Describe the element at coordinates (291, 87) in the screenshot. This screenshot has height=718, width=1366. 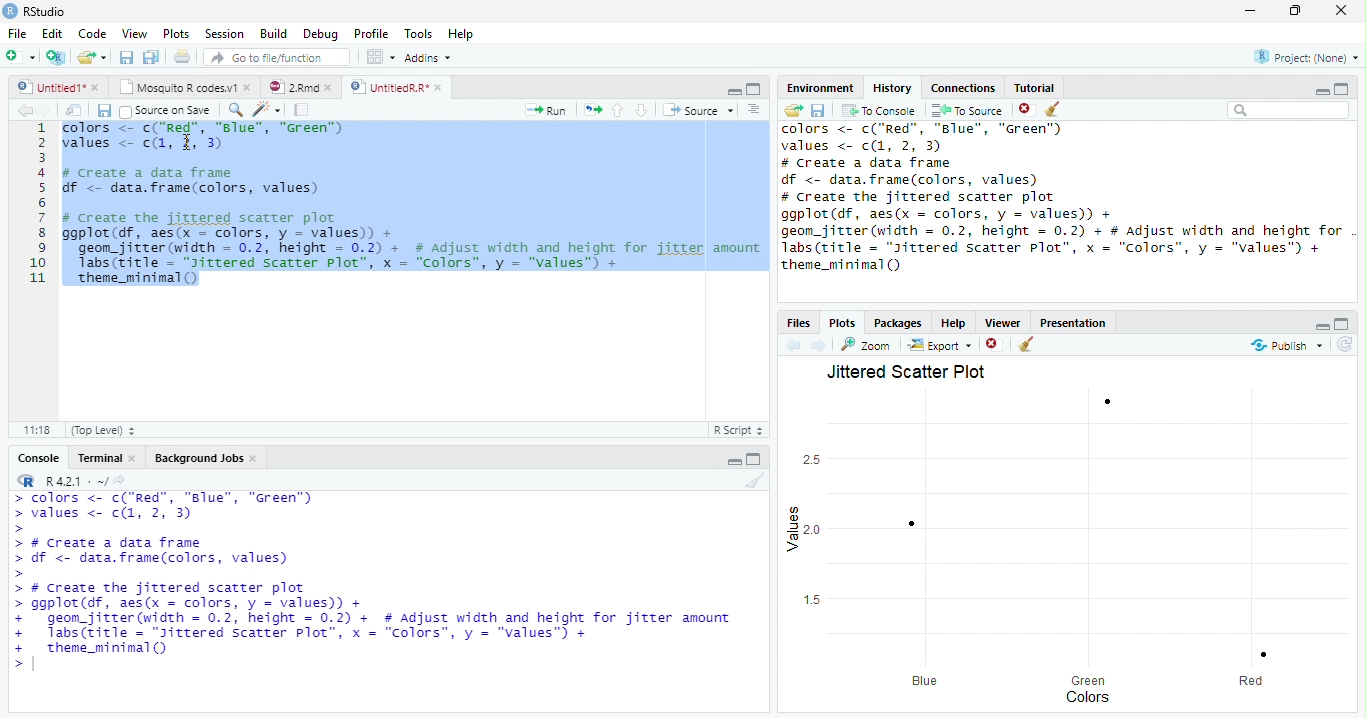
I see `2.Rmd` at that location.